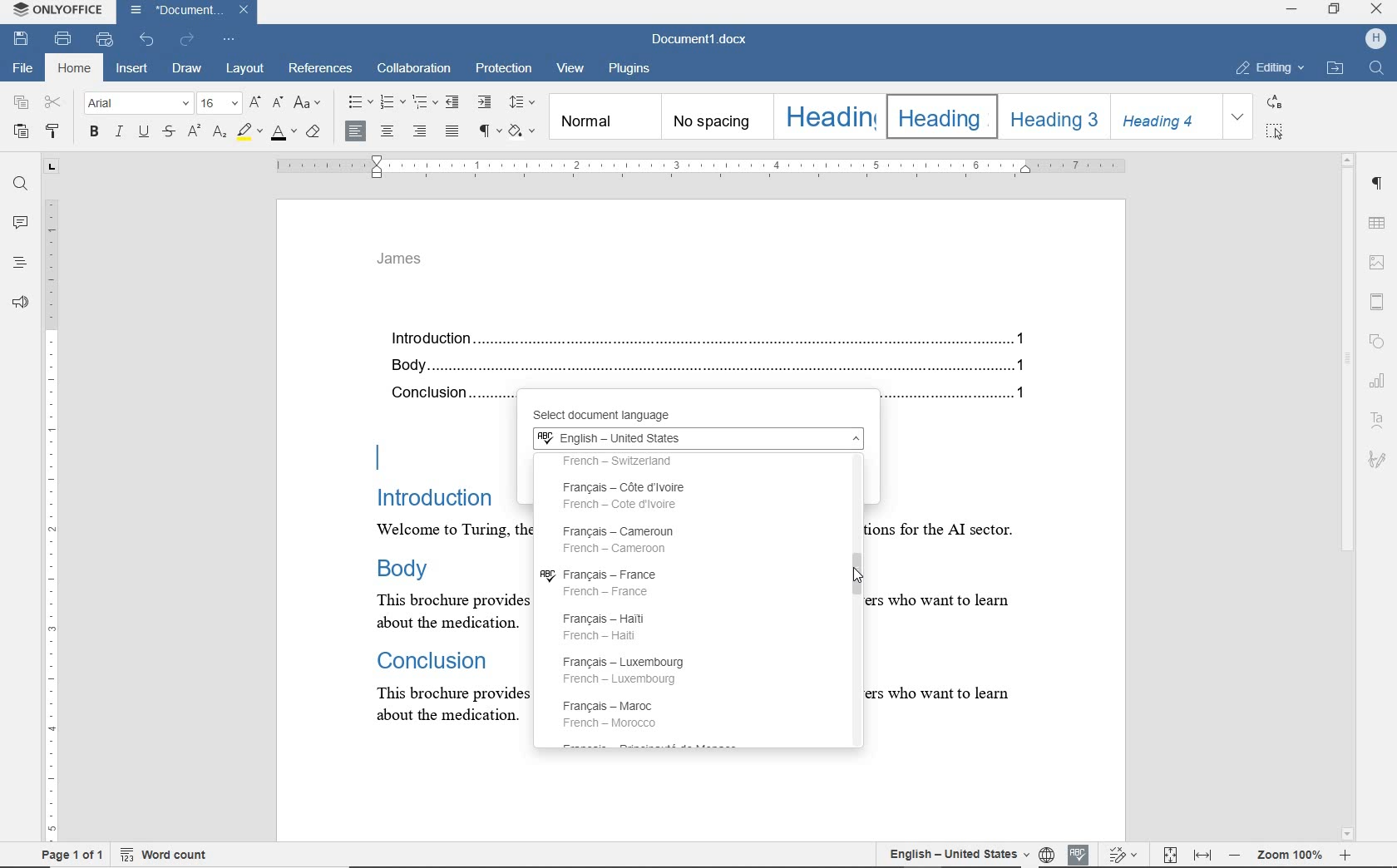 The image size is (1397, 868). What do you see at coordinates (1165, 116) in the screenshot?
I see `Heading 4` at bounding box center [1165, 116].